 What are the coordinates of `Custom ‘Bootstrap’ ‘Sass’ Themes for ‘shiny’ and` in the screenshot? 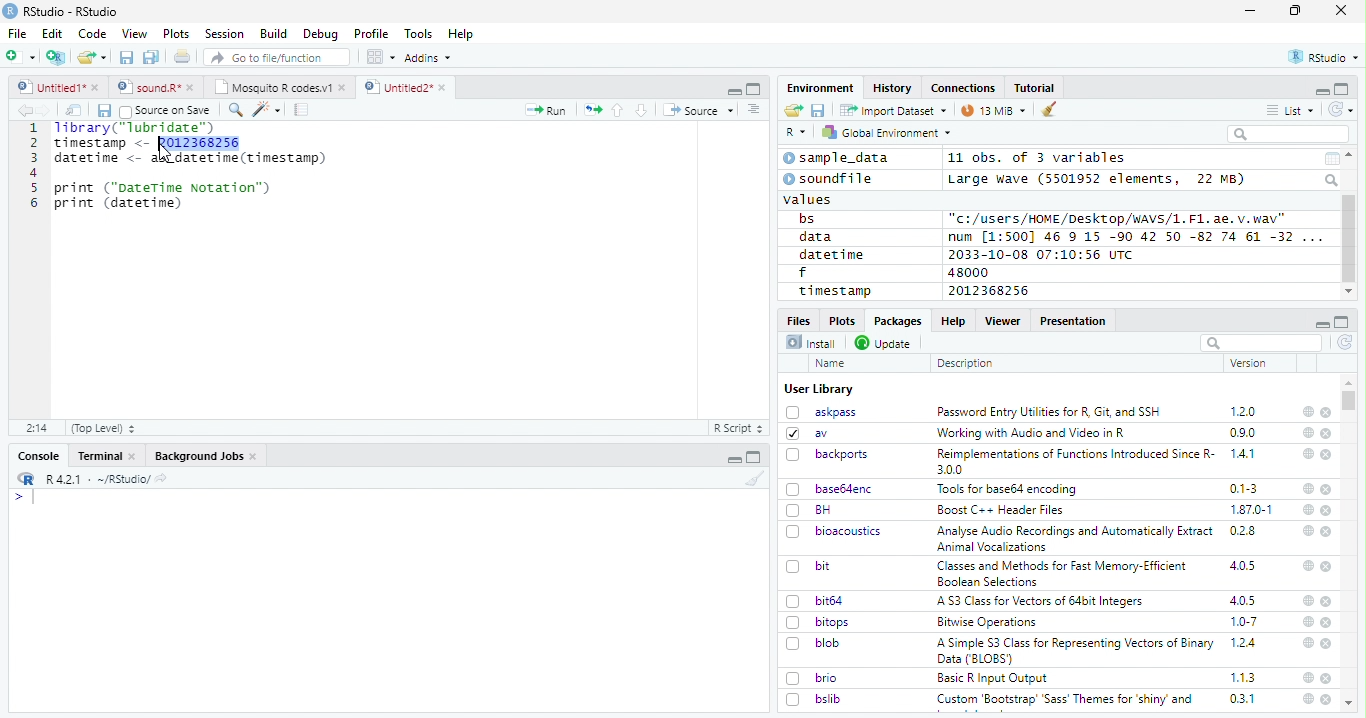 It's located at (1065, 702).